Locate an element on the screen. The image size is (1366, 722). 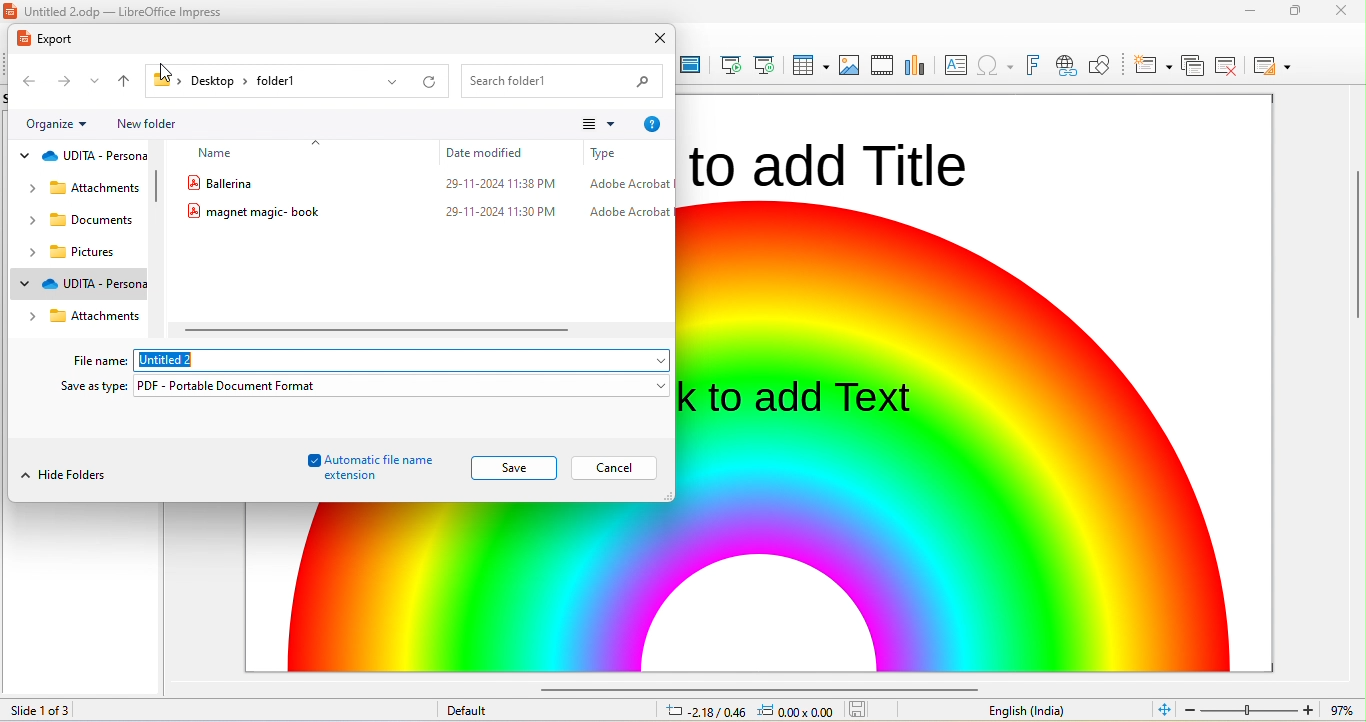
minimize is located at coordinates (1252, 10).